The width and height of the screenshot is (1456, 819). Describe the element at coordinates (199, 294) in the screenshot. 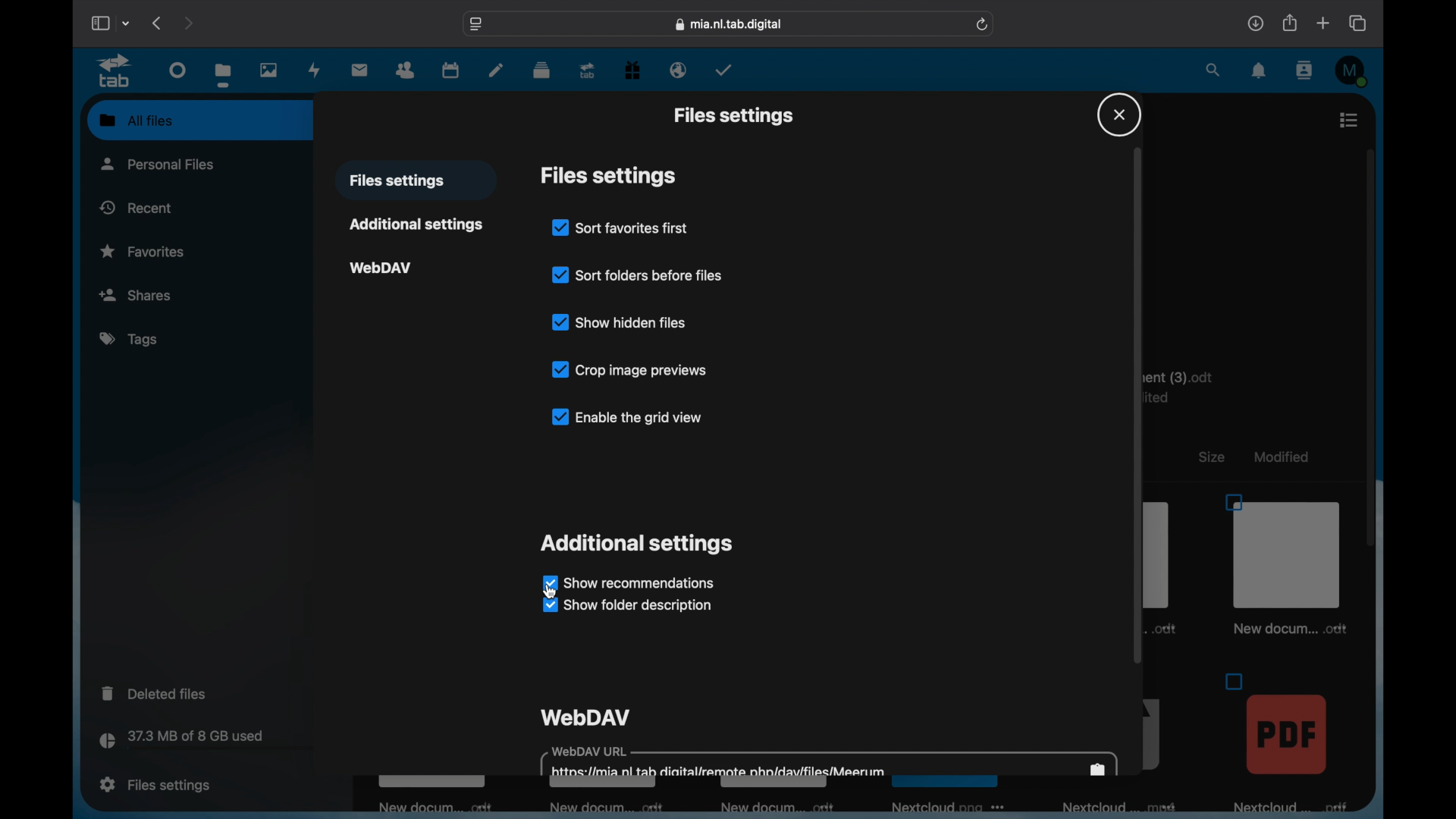

I see `shares` at that location.